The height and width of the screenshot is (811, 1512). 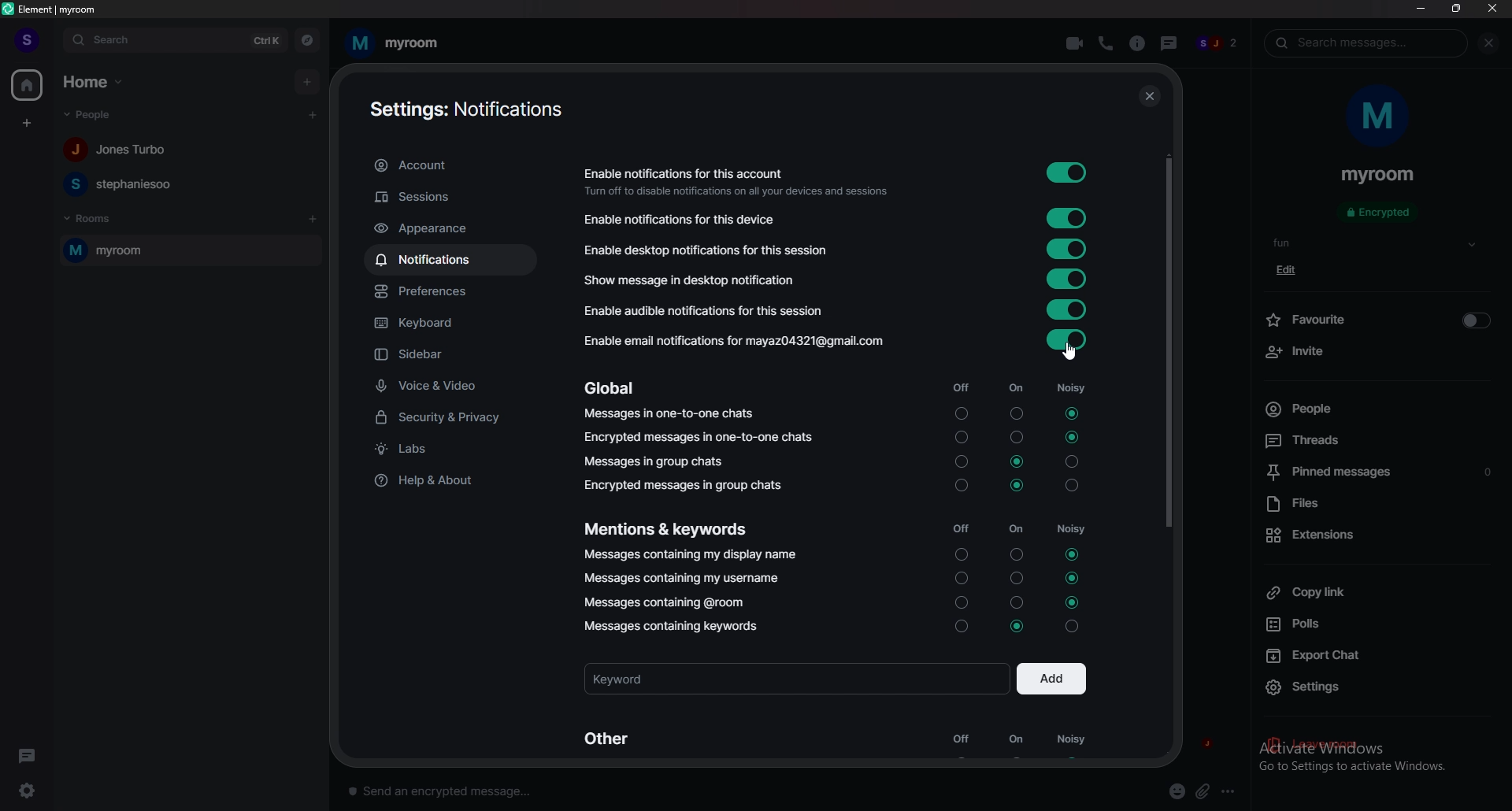 I want to click on on, so click(x=1016, y=506).